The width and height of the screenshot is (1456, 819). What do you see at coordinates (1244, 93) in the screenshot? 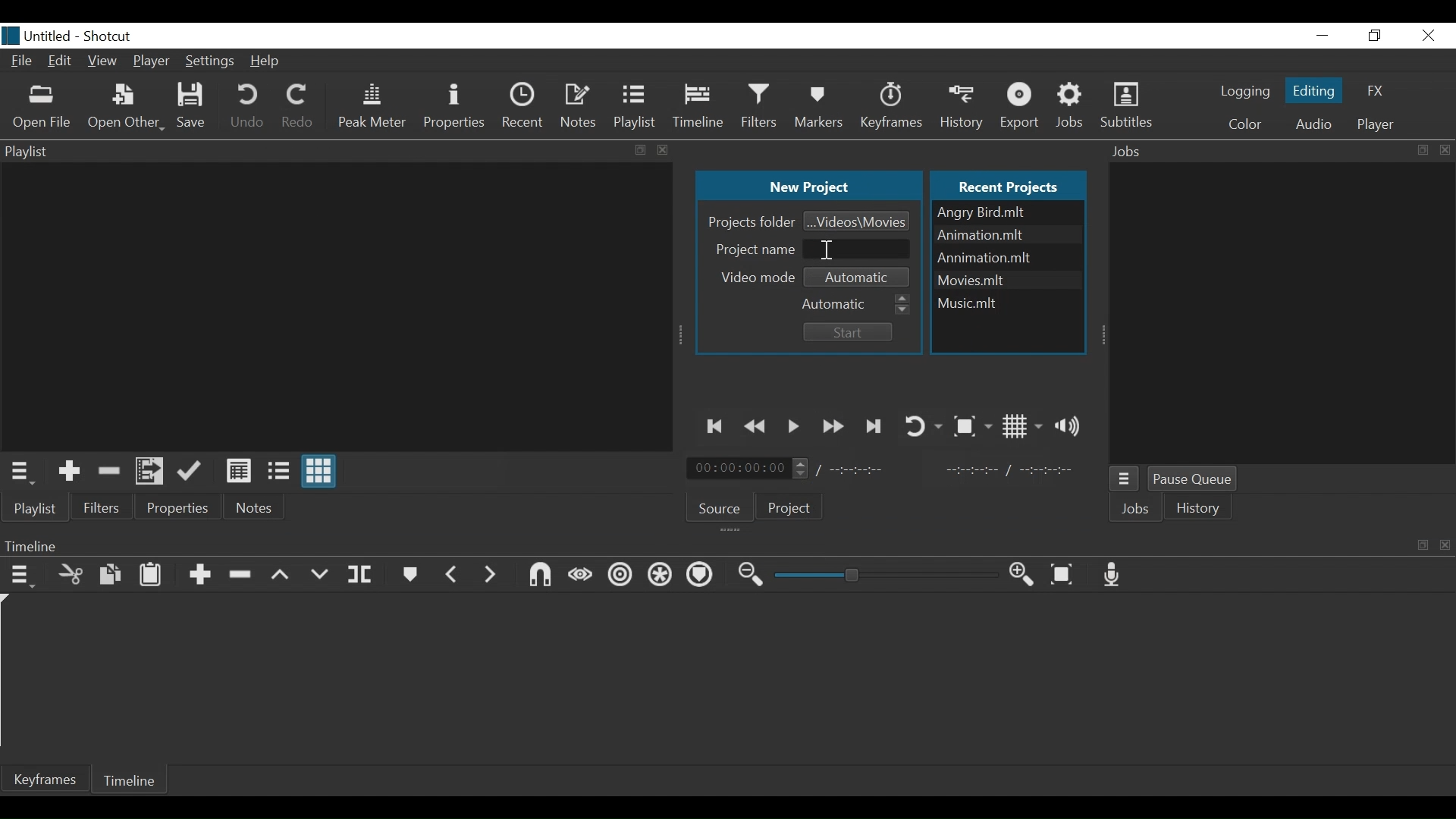
I see `logging` at bounding box center [1244, 93].